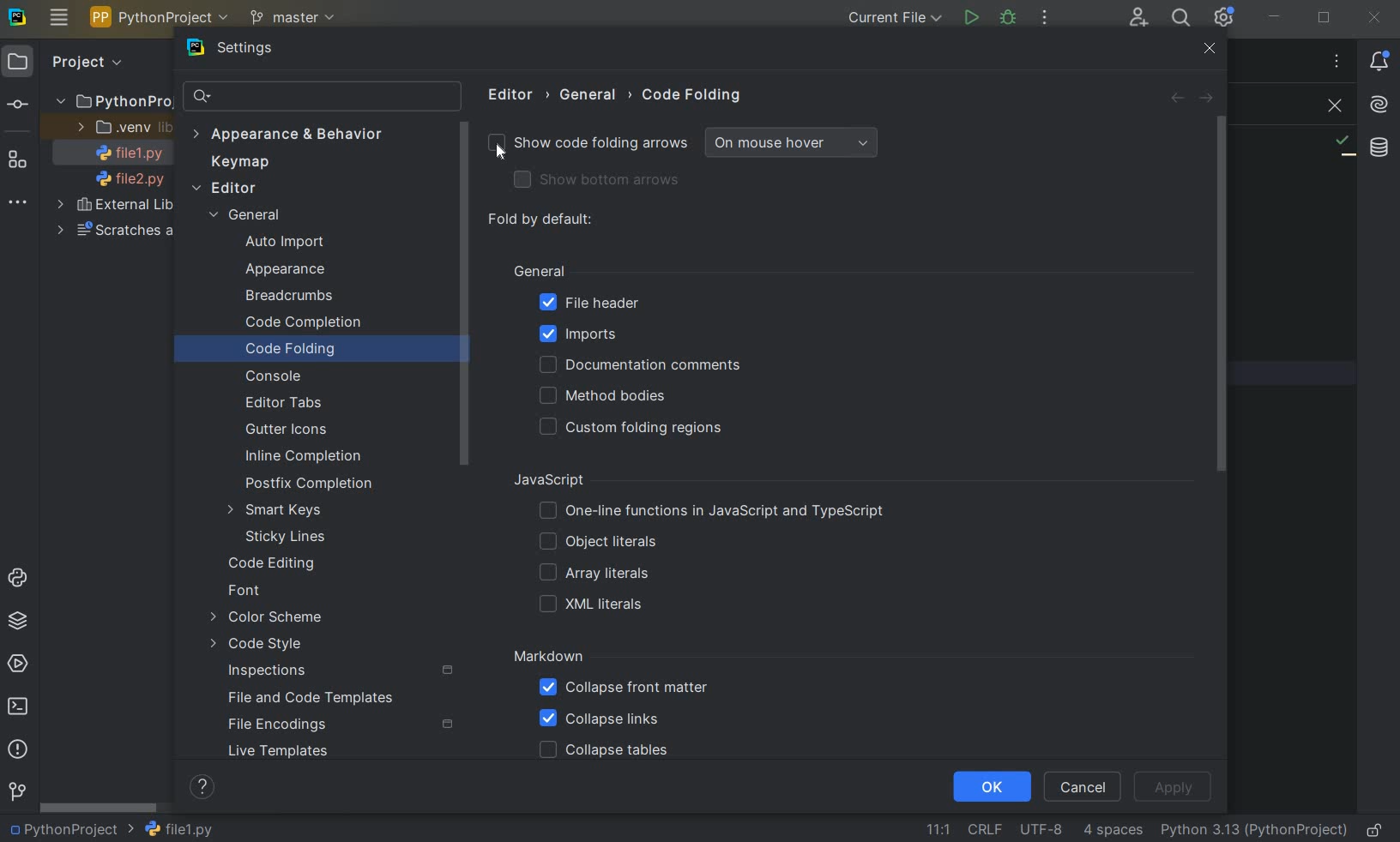  Describe the element at coordinates (1379, 62) in the screenshot. I see `NOTIFICATIONS` at that location.